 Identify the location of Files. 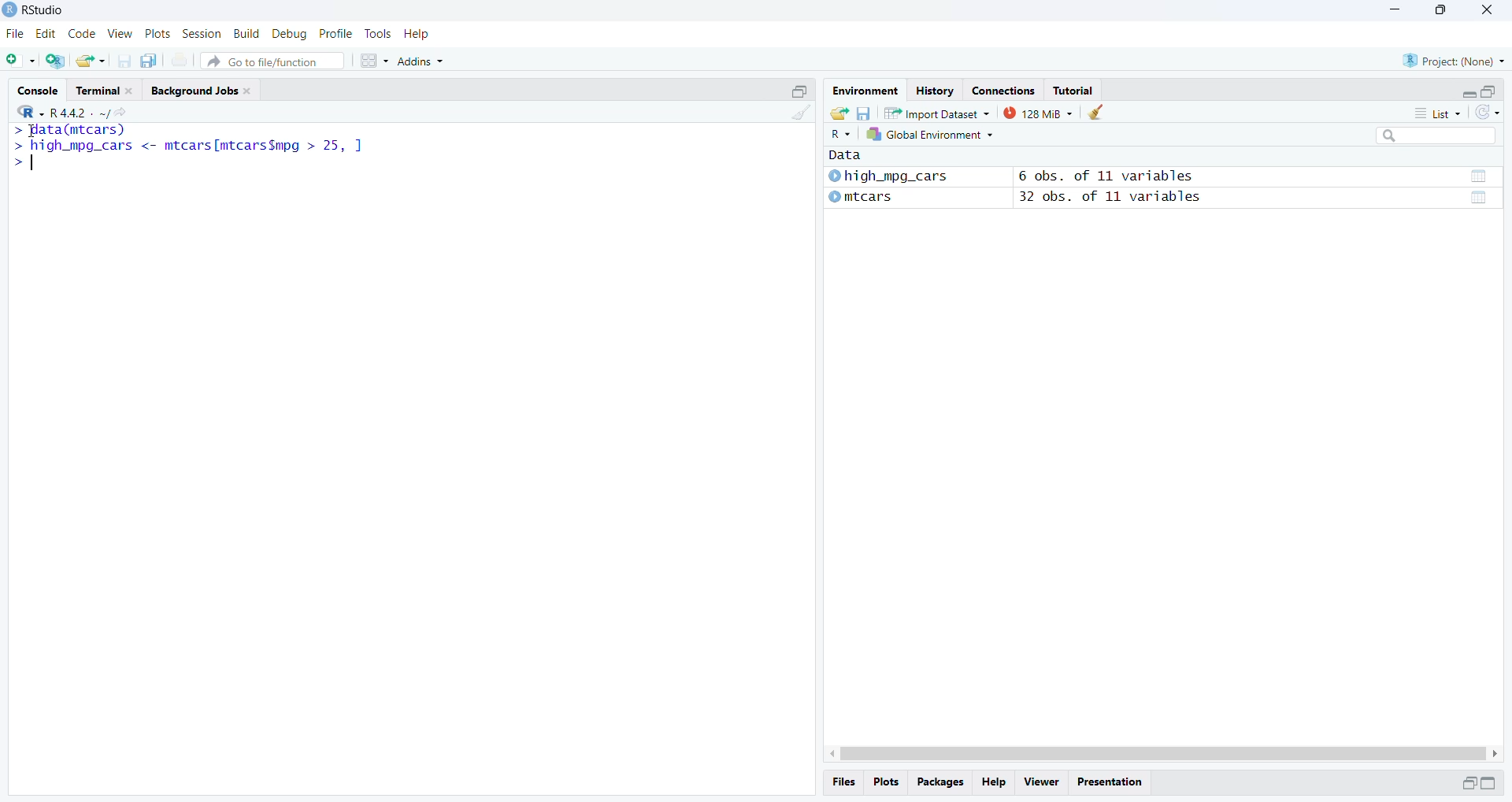
(844, 782).